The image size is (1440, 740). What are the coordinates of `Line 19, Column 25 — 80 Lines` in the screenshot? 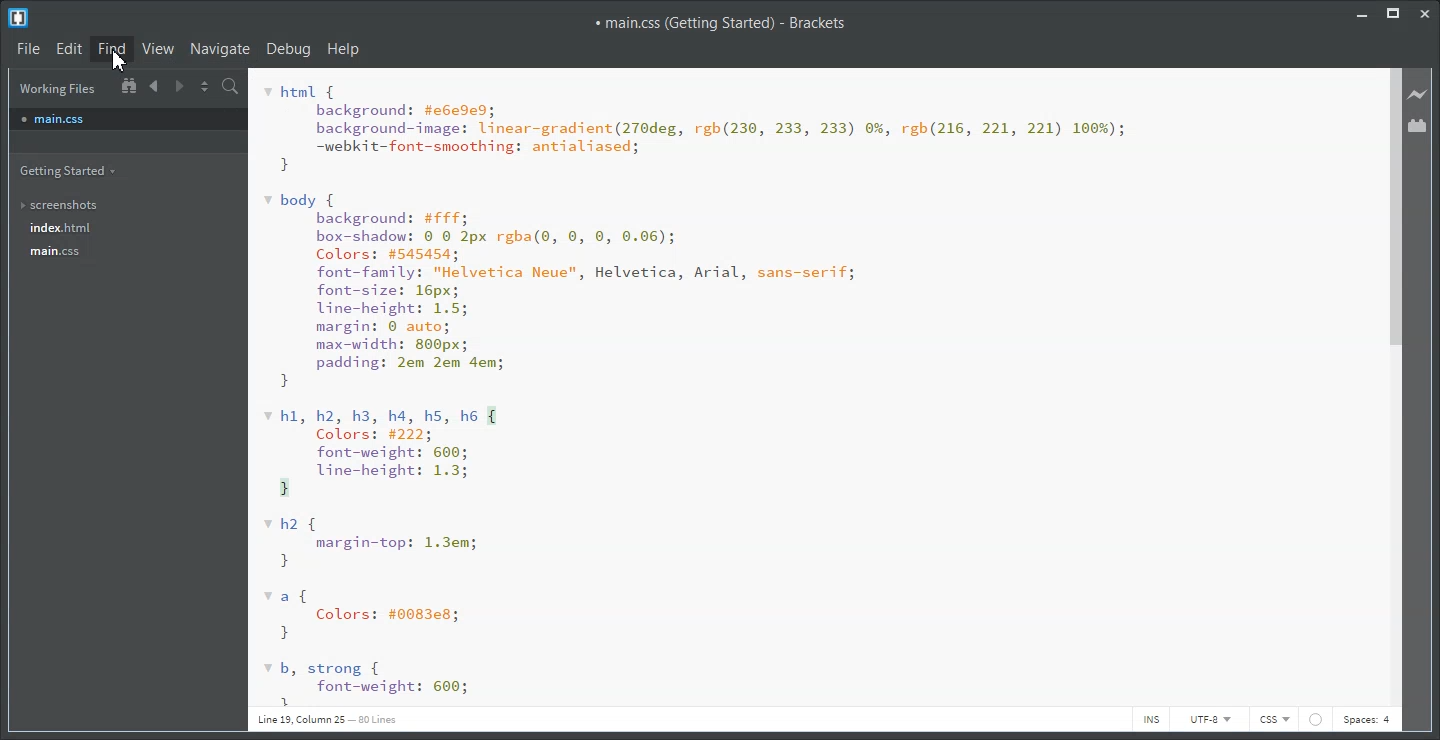 It's located at (326, 719).